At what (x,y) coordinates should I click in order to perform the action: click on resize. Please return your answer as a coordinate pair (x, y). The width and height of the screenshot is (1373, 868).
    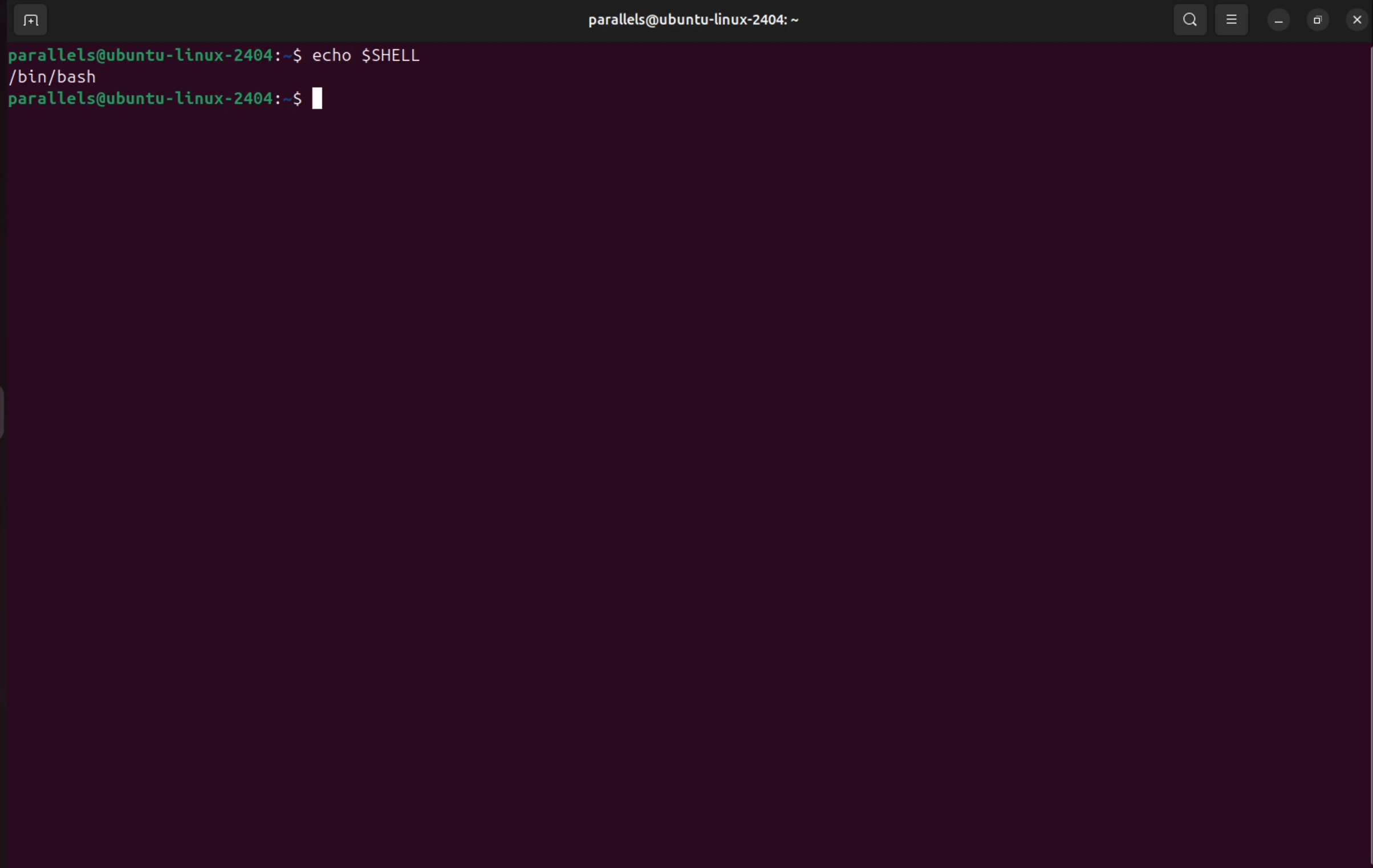
    Looking at the image, I should click on (1318, 19).